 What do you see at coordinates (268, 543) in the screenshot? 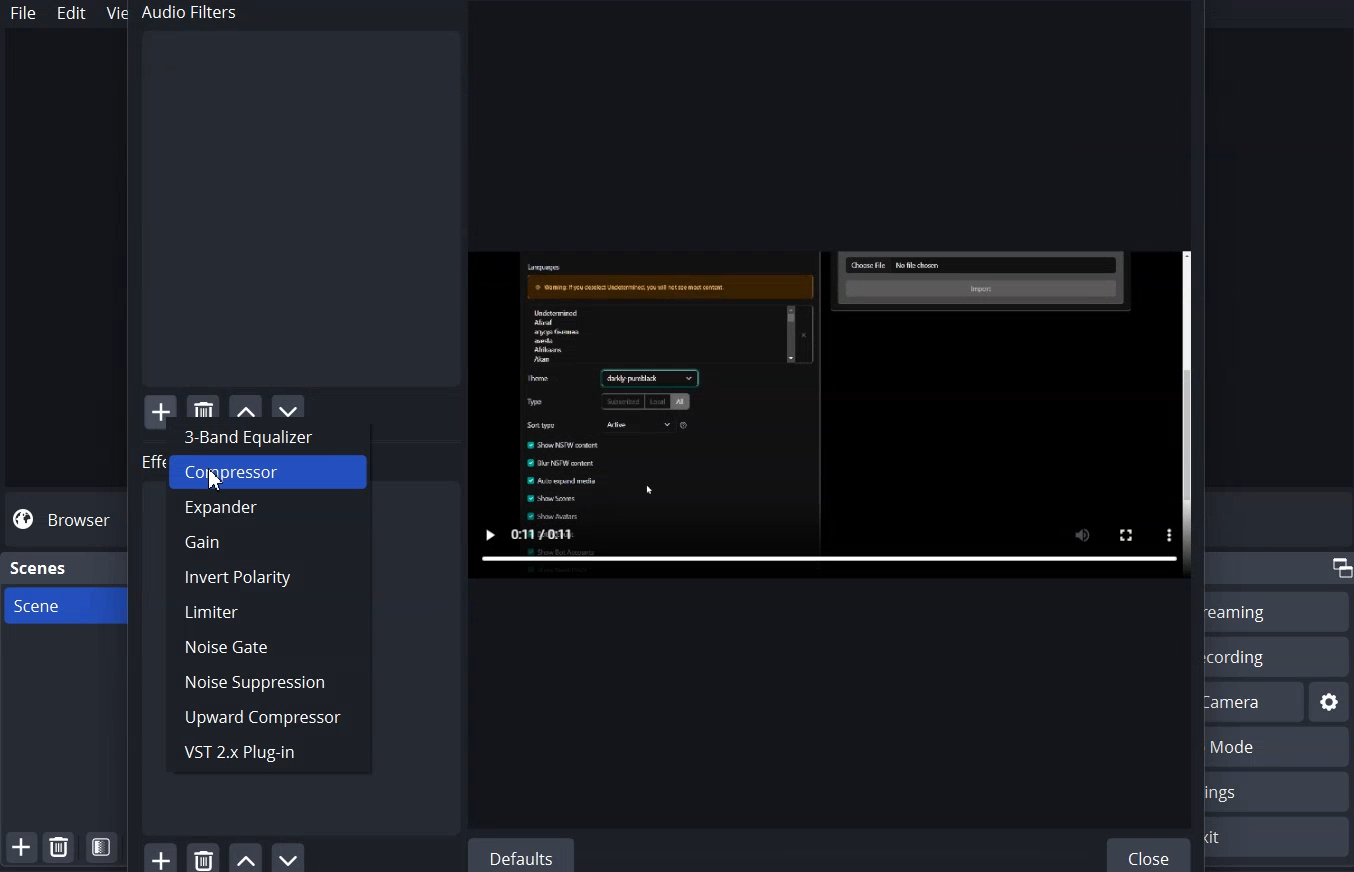
I see `Gain` at bounding box center [268, 543].